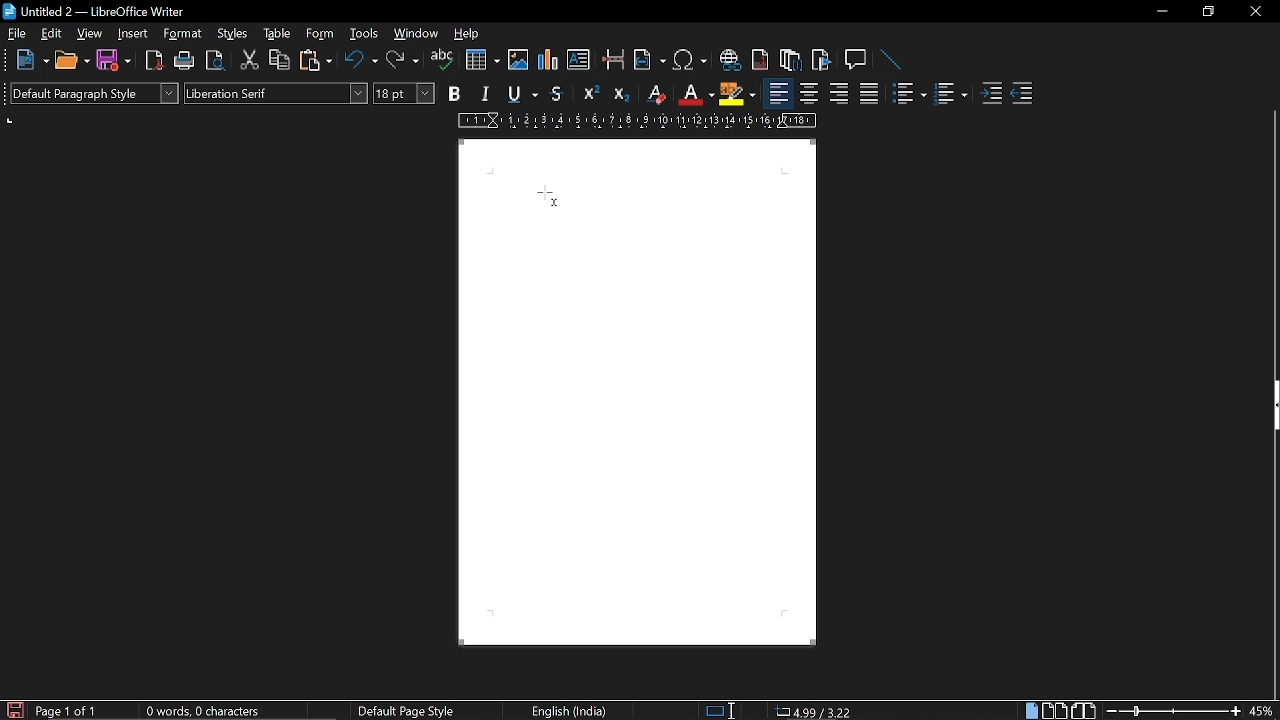  What do you see at coordinates (404, 94) in the screenshot?
I see `text size` at bounding box center [404, 94].